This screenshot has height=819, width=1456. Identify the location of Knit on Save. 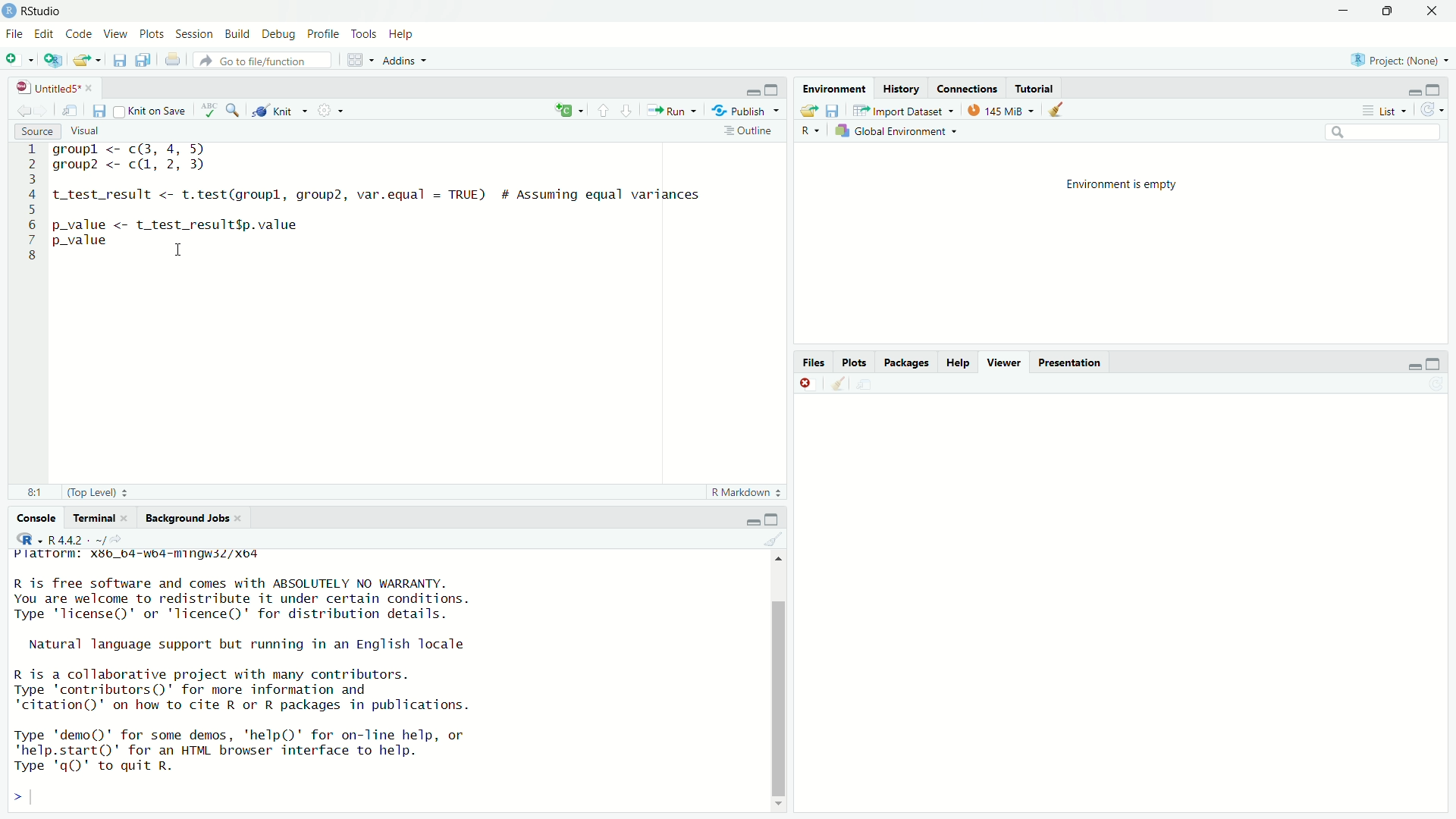
(154, 109).